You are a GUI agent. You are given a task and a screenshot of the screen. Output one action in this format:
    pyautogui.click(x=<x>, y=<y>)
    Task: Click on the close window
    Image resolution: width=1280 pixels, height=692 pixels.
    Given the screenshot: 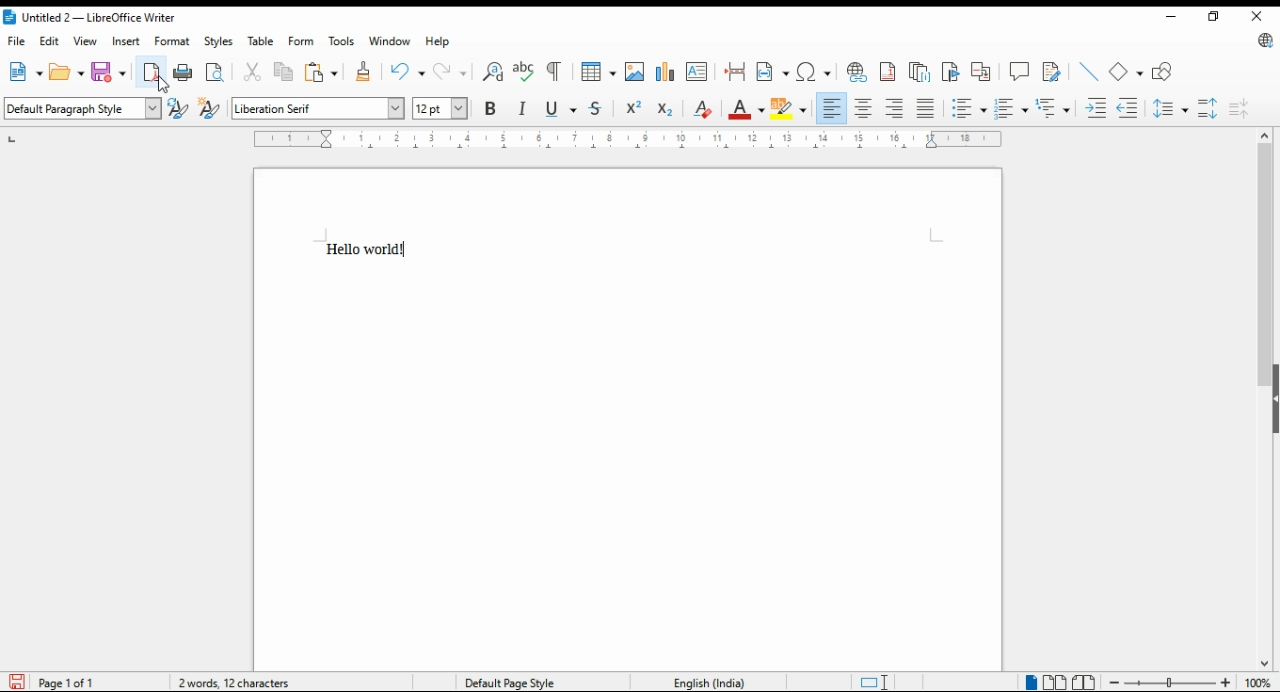 What is the action you would take?
    pyautogui.click(x=1259, y=18)
    